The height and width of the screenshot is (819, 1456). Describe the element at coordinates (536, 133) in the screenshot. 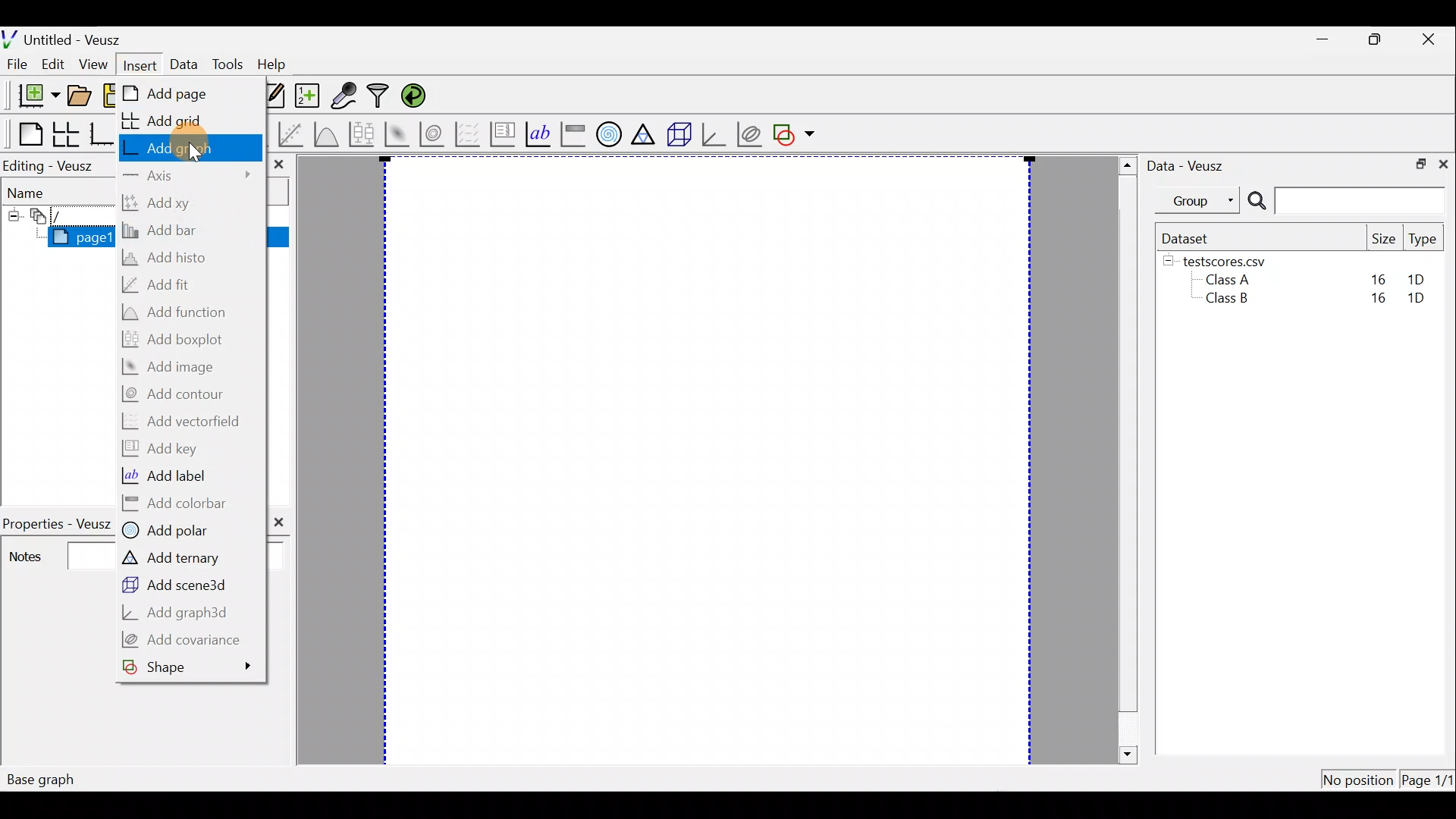

I see `Text label` at that location.